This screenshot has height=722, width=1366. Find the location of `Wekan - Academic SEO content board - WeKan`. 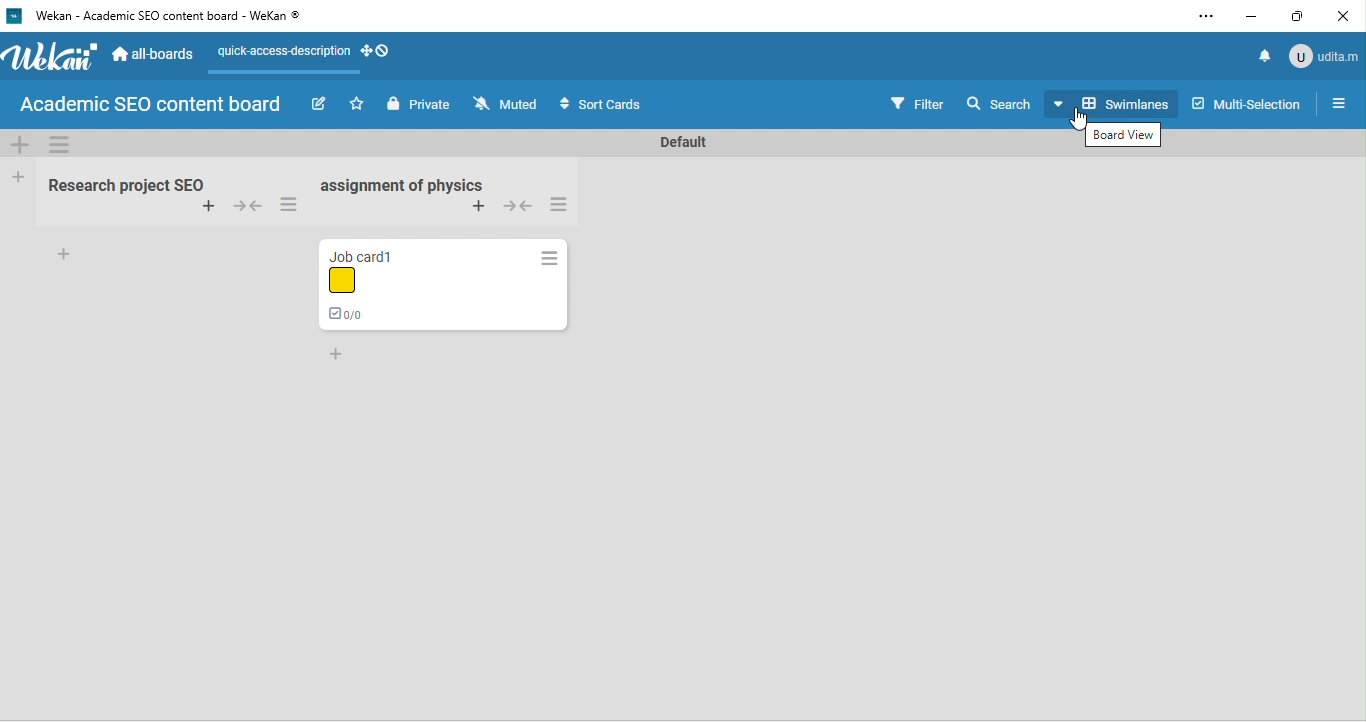

Wekan - Academic SEO content board - WeKan is located at coordinates (160, 17).